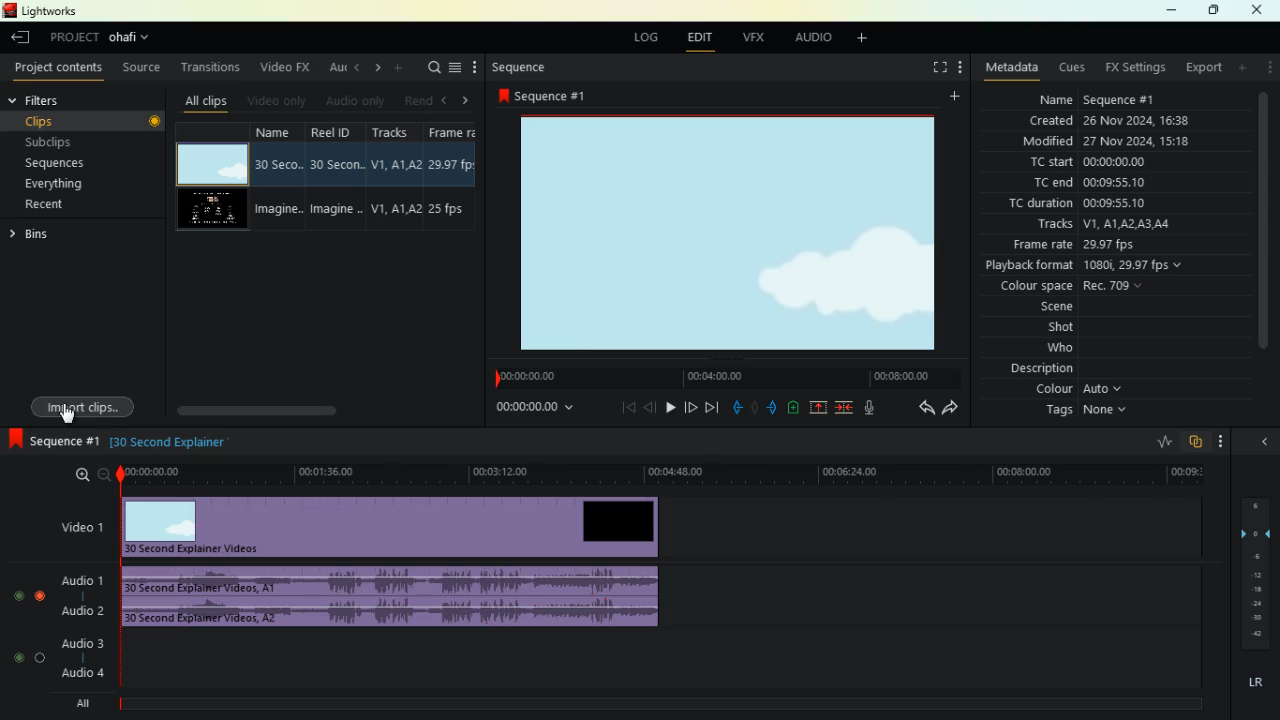 The height and width of the screenshot is (720, 1280). I want to click on zoom, so click(82, 474).